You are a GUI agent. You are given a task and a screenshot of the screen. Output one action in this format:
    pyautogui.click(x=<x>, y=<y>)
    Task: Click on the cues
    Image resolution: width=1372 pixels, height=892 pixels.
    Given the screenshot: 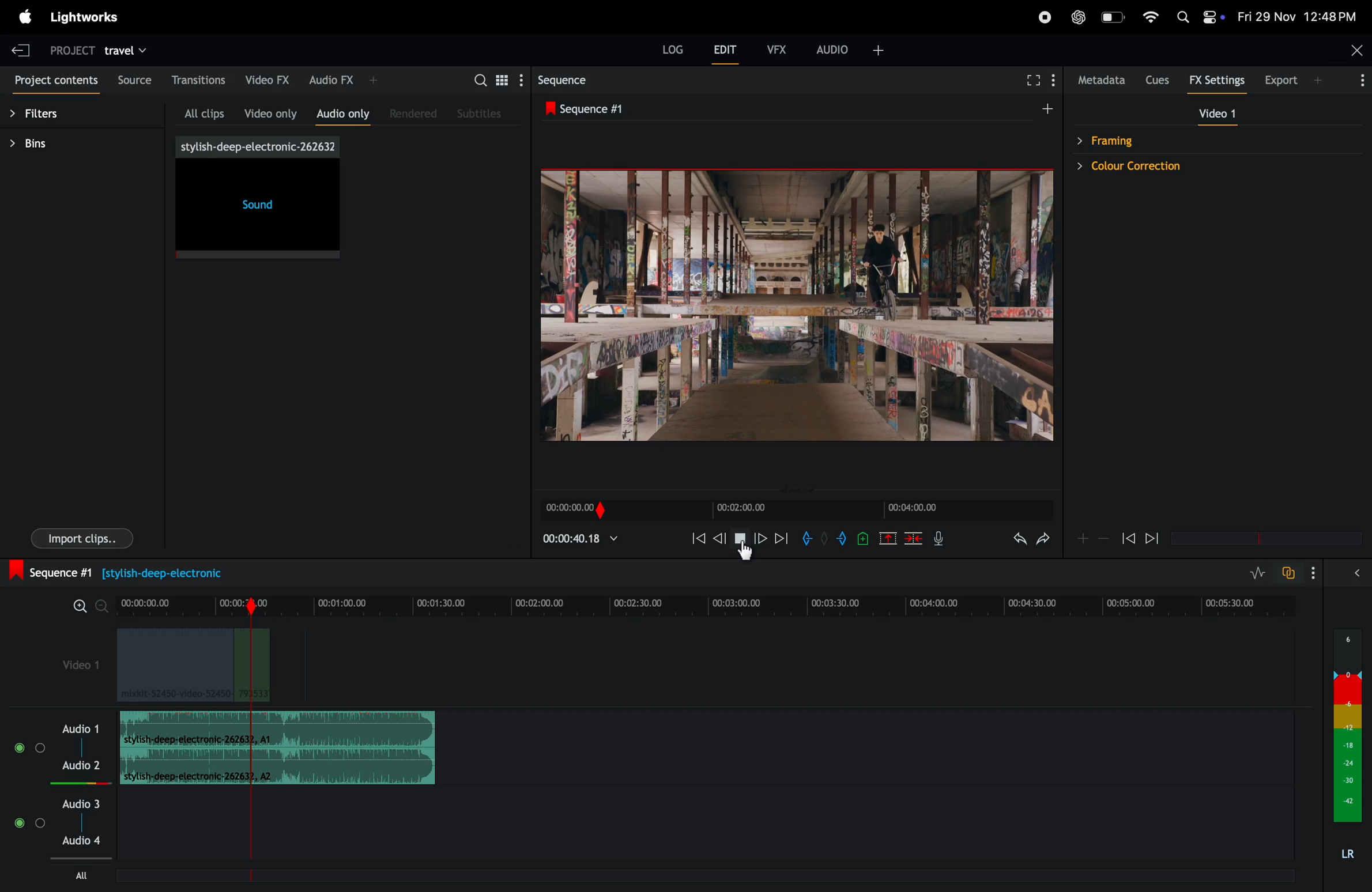 What is the action you would take?
    pyautogui.click(x=1160, y=80)
    